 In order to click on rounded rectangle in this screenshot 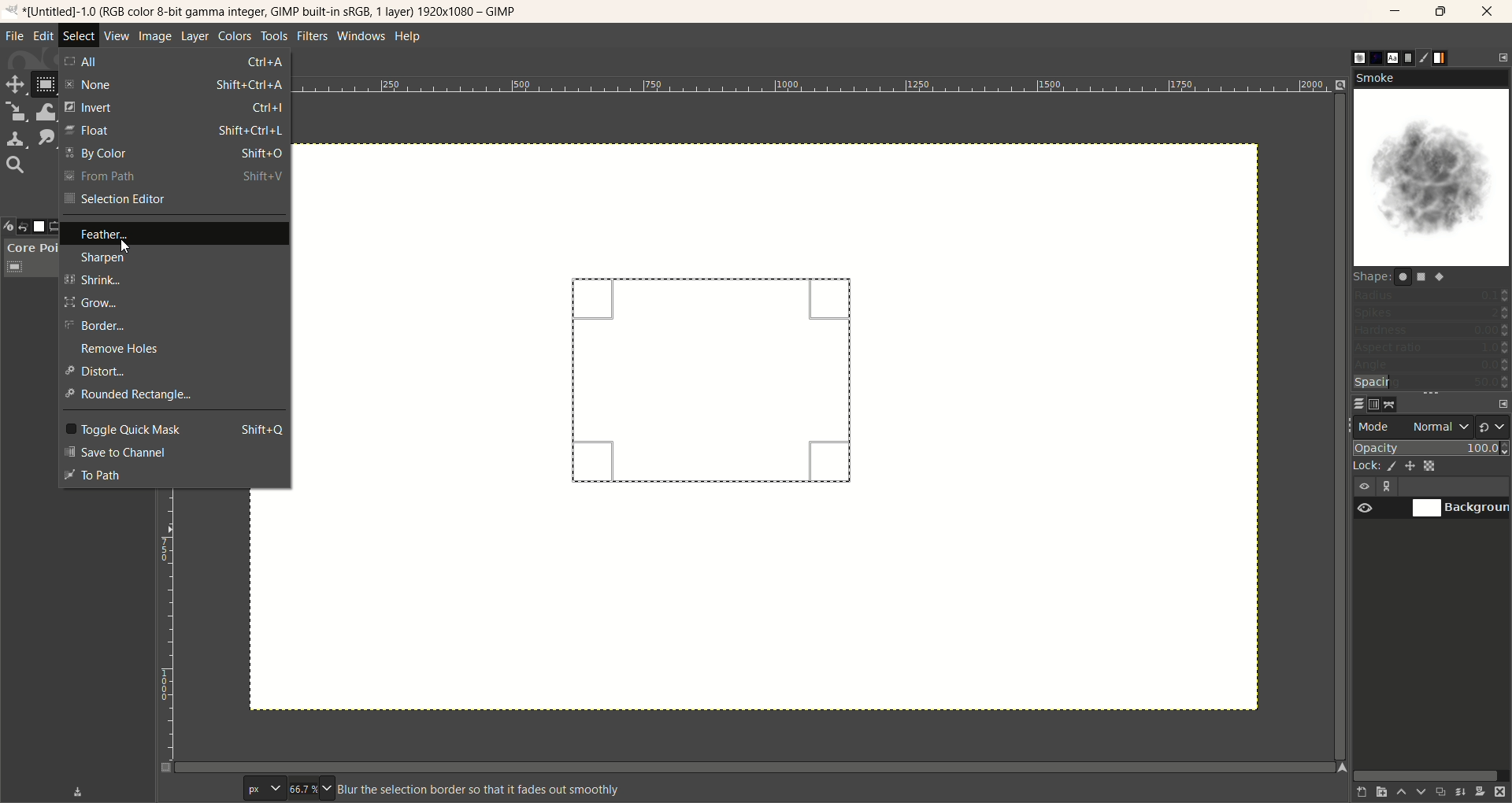, I will do `click(173, 397)`.